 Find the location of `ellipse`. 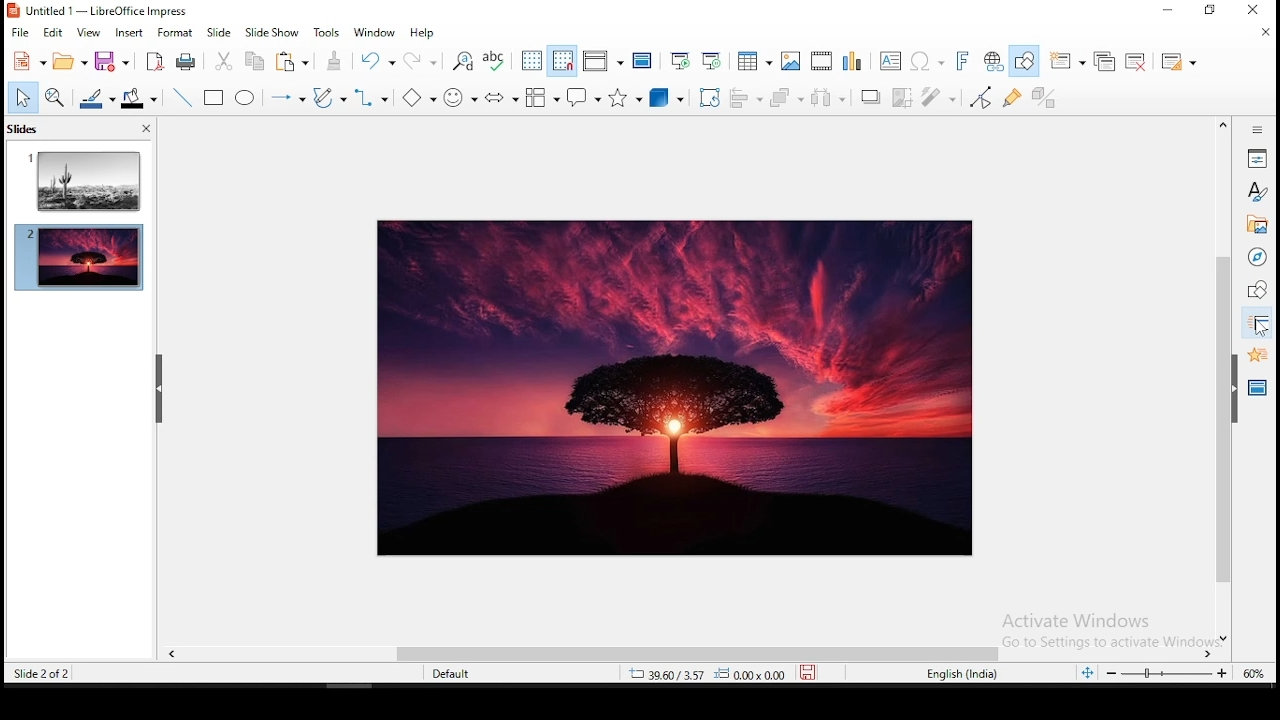

ellipse is located at coordinates (247, 99).